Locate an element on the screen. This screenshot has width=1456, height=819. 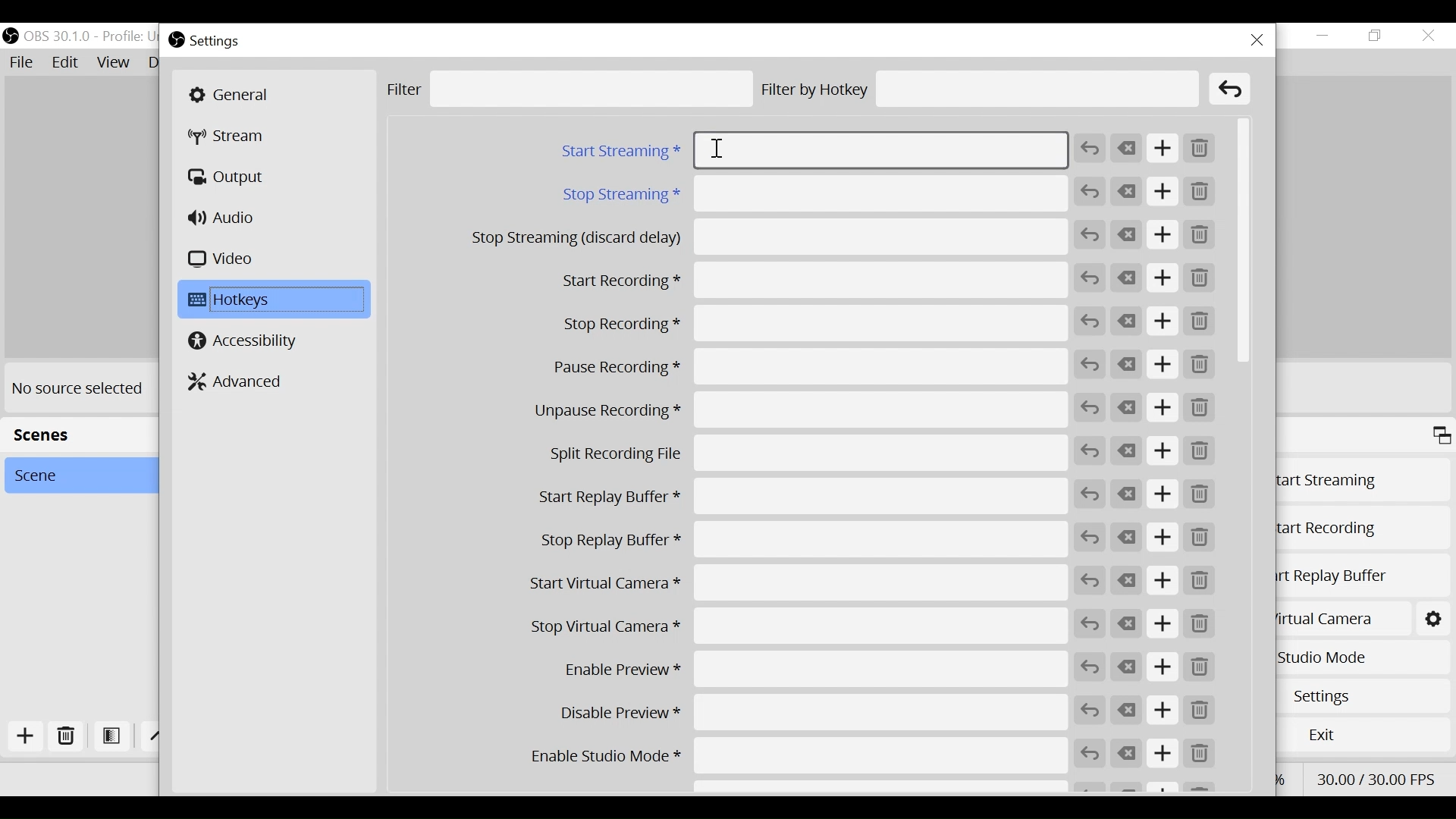
Filter by Hotkey is located at coordinates (980, 89).